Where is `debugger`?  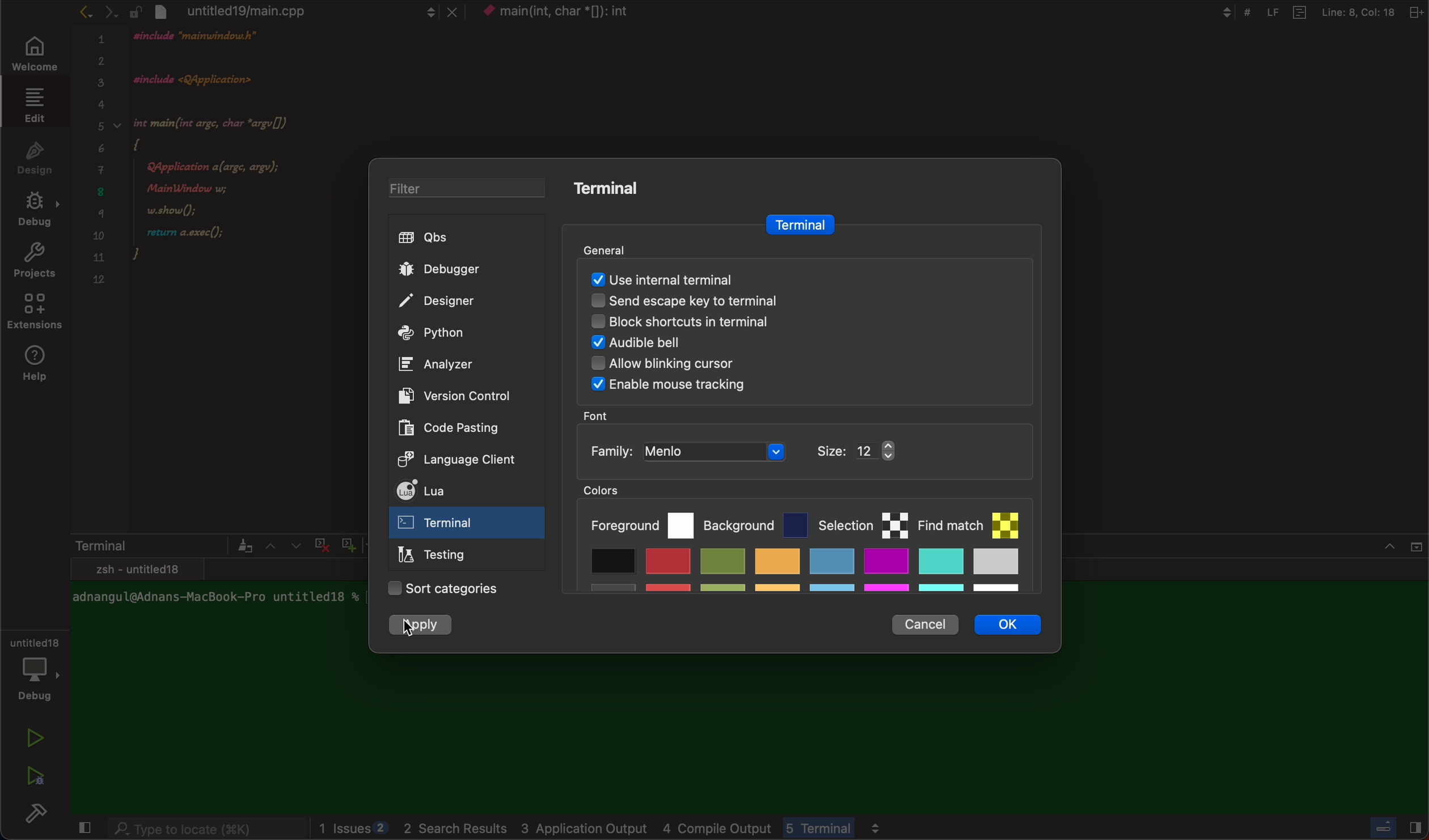
debugger is located at coordinates (459, 269).